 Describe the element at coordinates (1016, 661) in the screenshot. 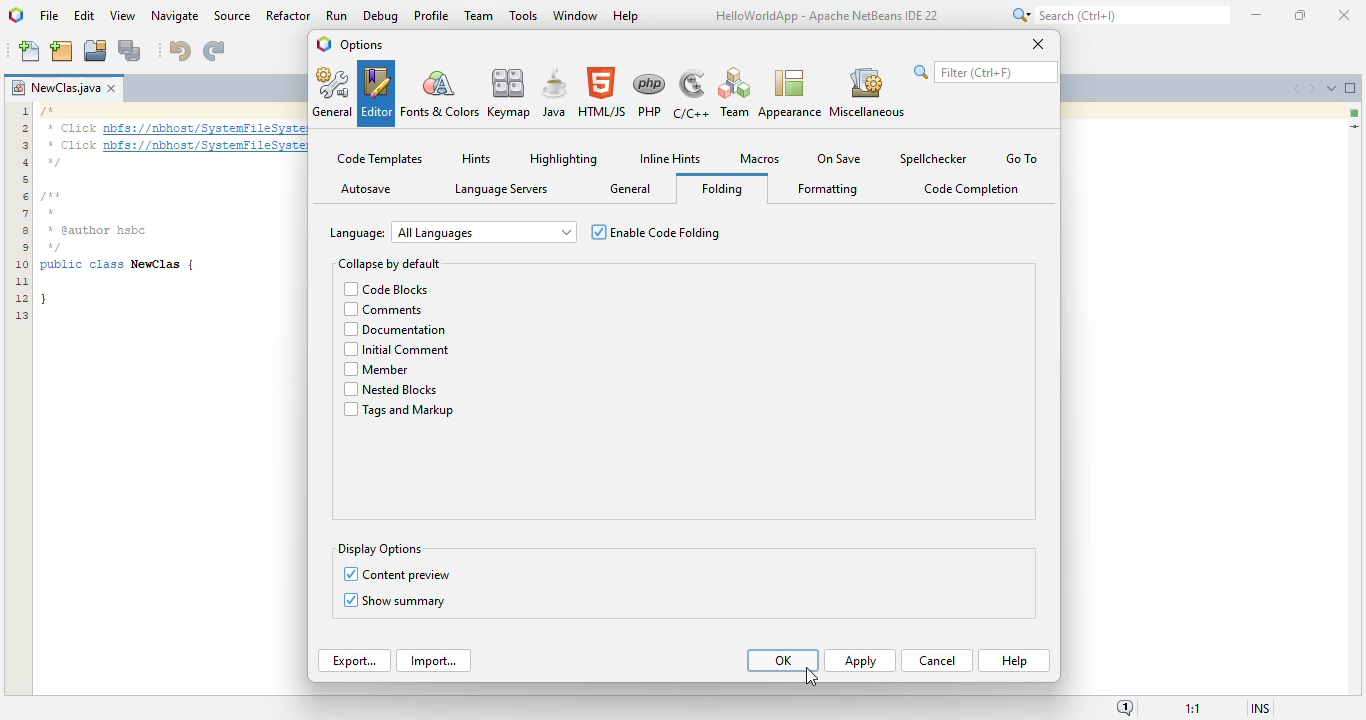

I see `help` at that location.